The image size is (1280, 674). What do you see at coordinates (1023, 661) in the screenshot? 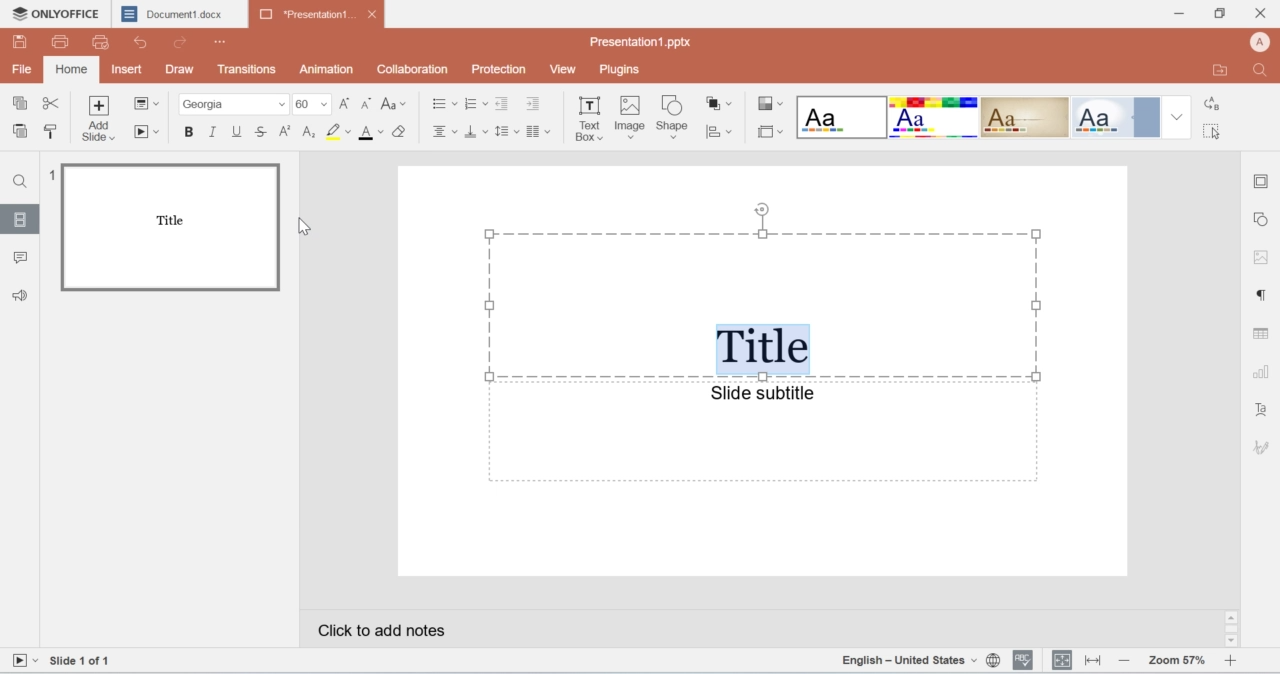
I see `spell check` at bounding box center [1023, 661].